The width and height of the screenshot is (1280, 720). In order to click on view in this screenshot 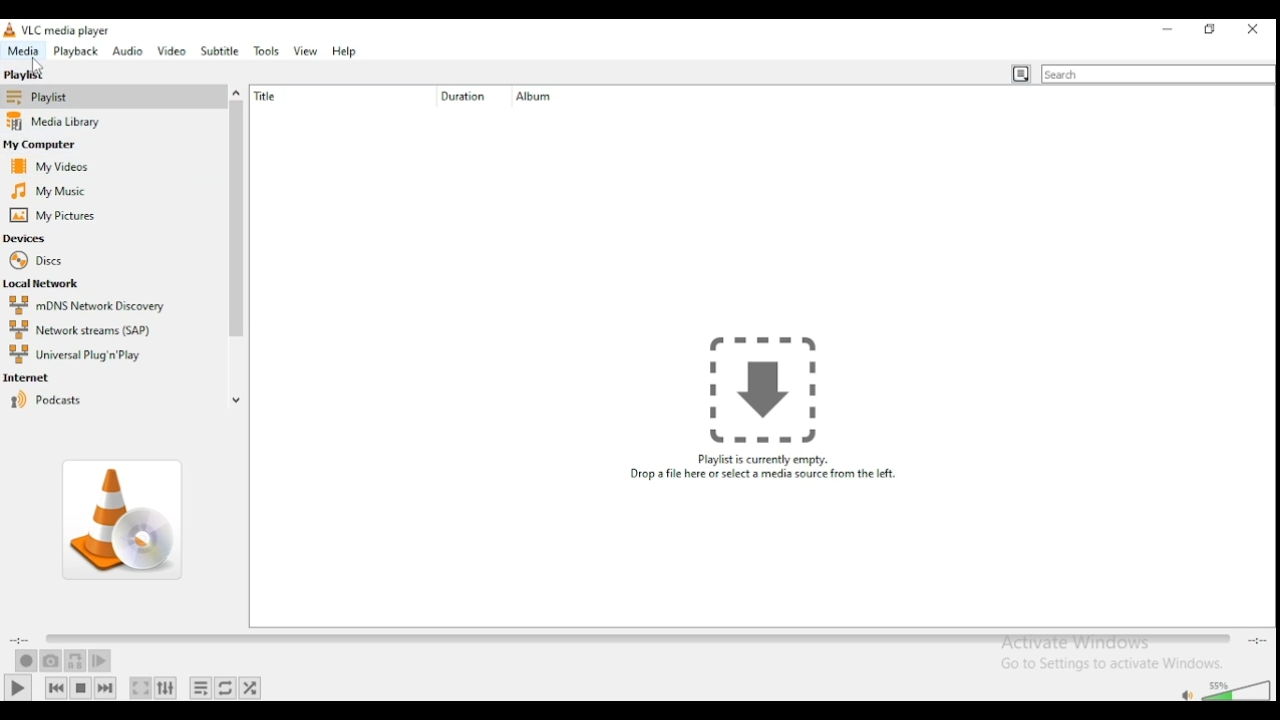, I will do `click(305, 52)`.